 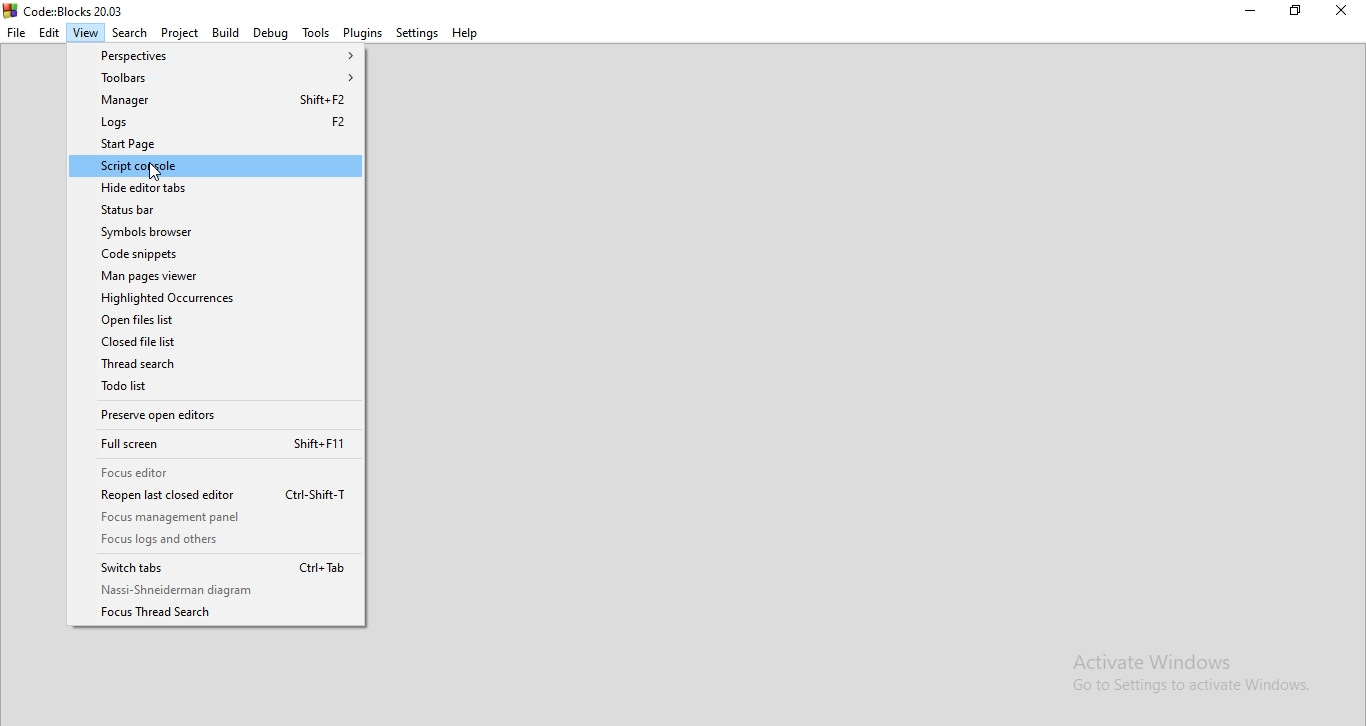 What do you see at coordinates (217, 99) in the screenshot?
I see `Manager` at bounding box center [217, 99].